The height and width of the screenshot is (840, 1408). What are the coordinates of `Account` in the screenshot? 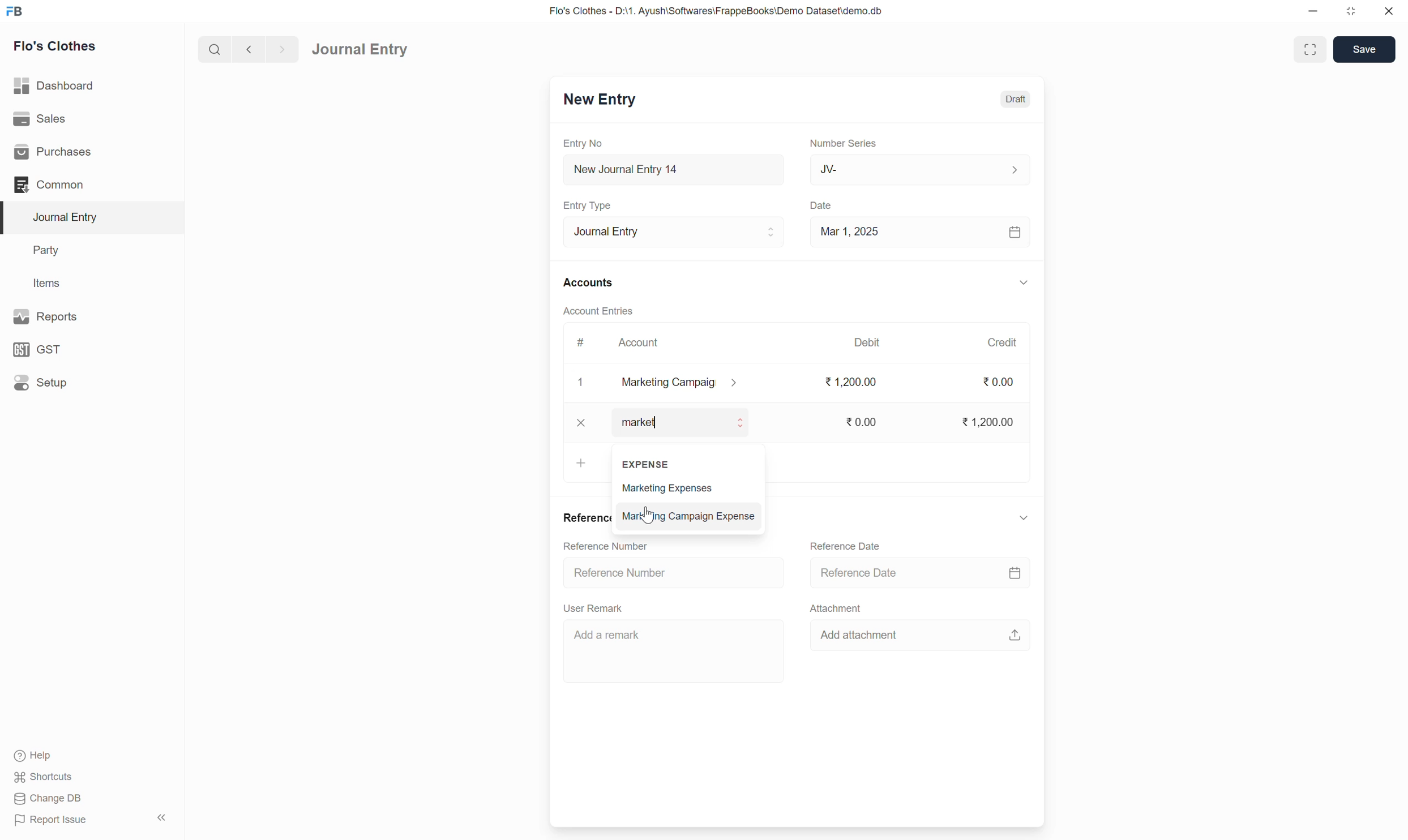 It's located at (642, 423).